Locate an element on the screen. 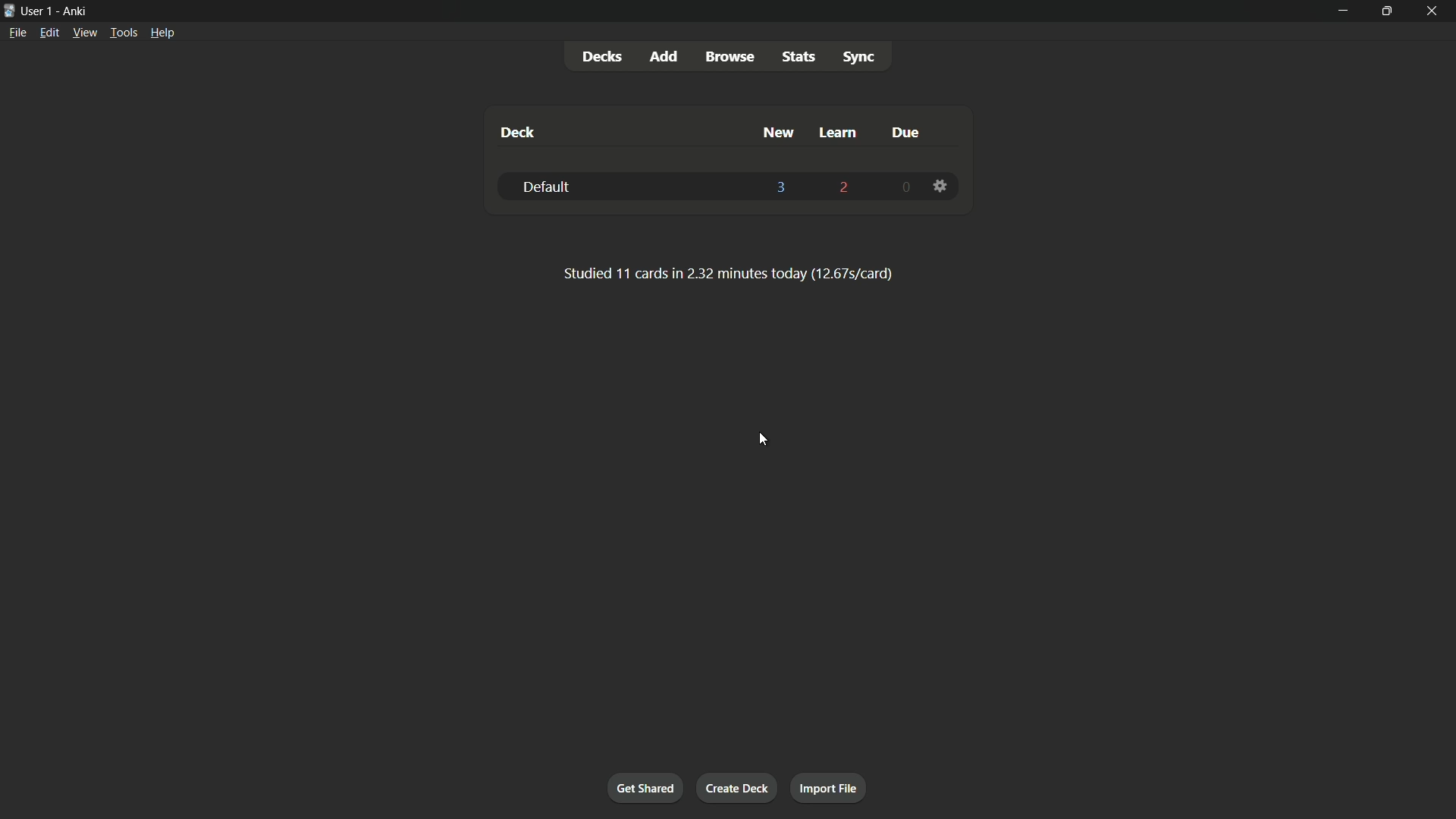 This screenshot has width=1456, height=819. maximize is located at coordinates (1389, 11).